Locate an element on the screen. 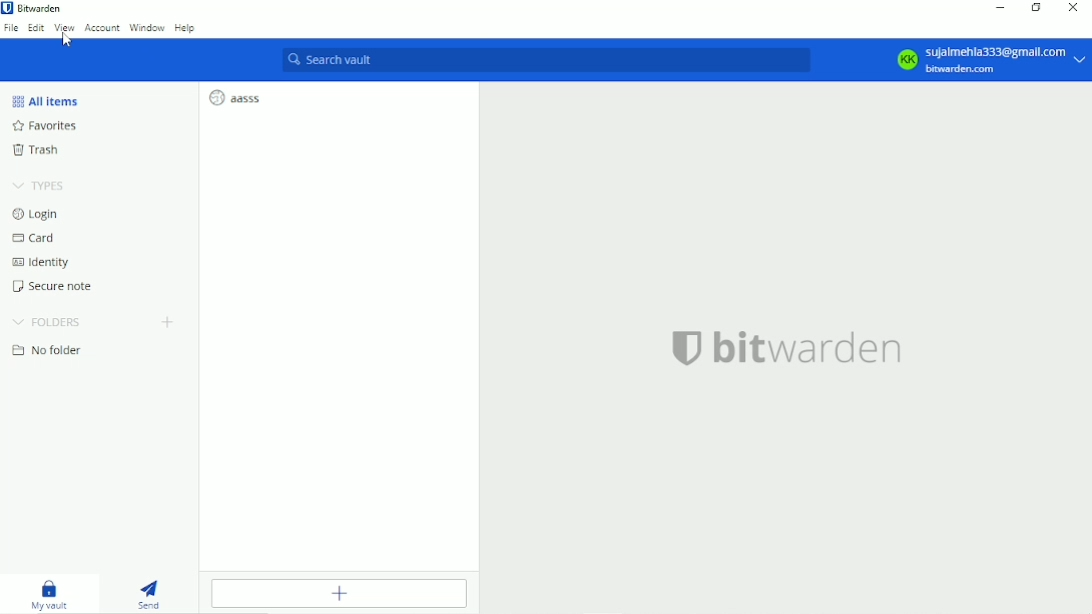 This screenshot has height=614, width=1092. Create folder is located at coordinates (168, 323).